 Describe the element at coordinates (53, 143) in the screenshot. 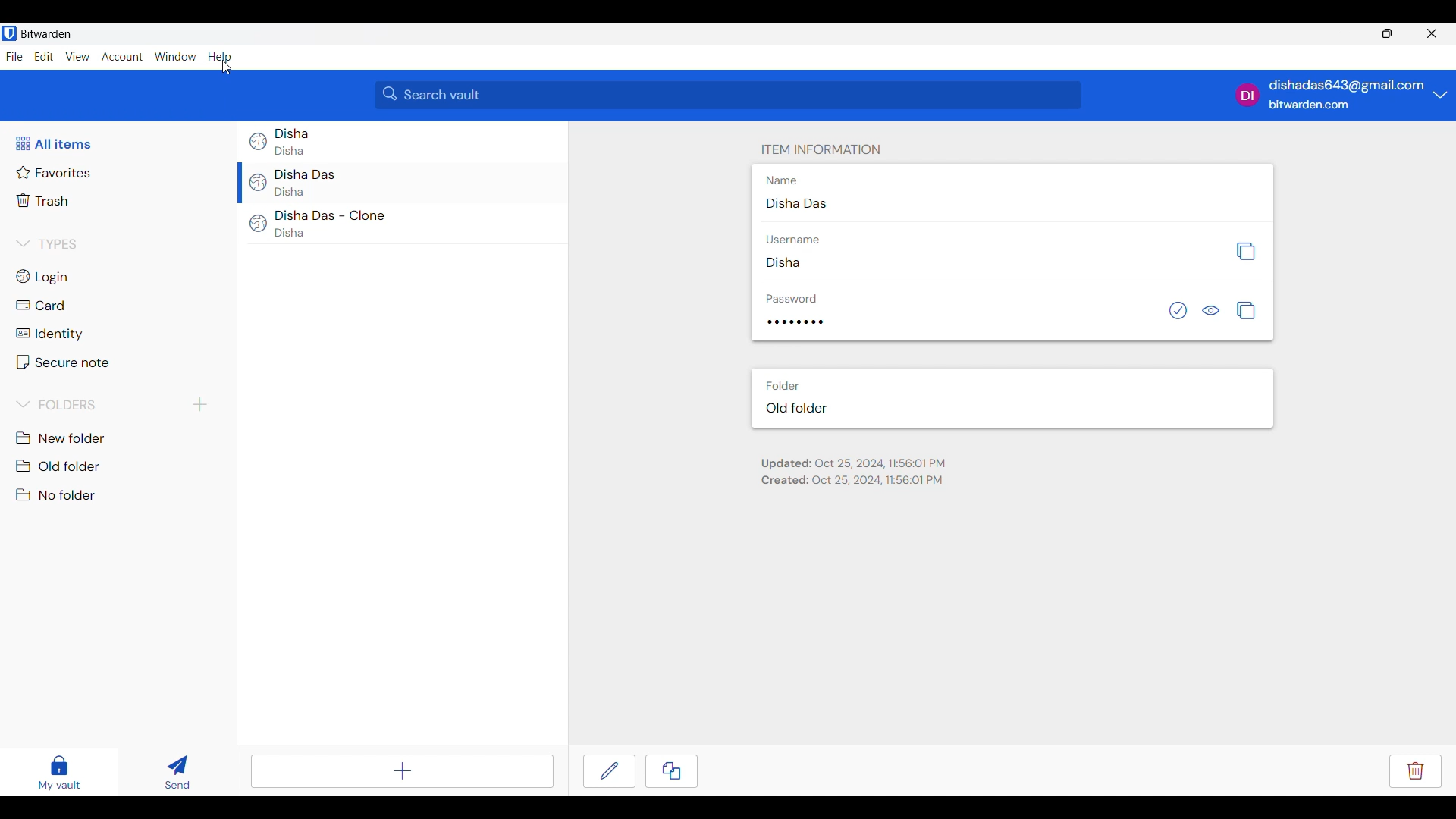

I see `All items, current selection highlighted` at that location.